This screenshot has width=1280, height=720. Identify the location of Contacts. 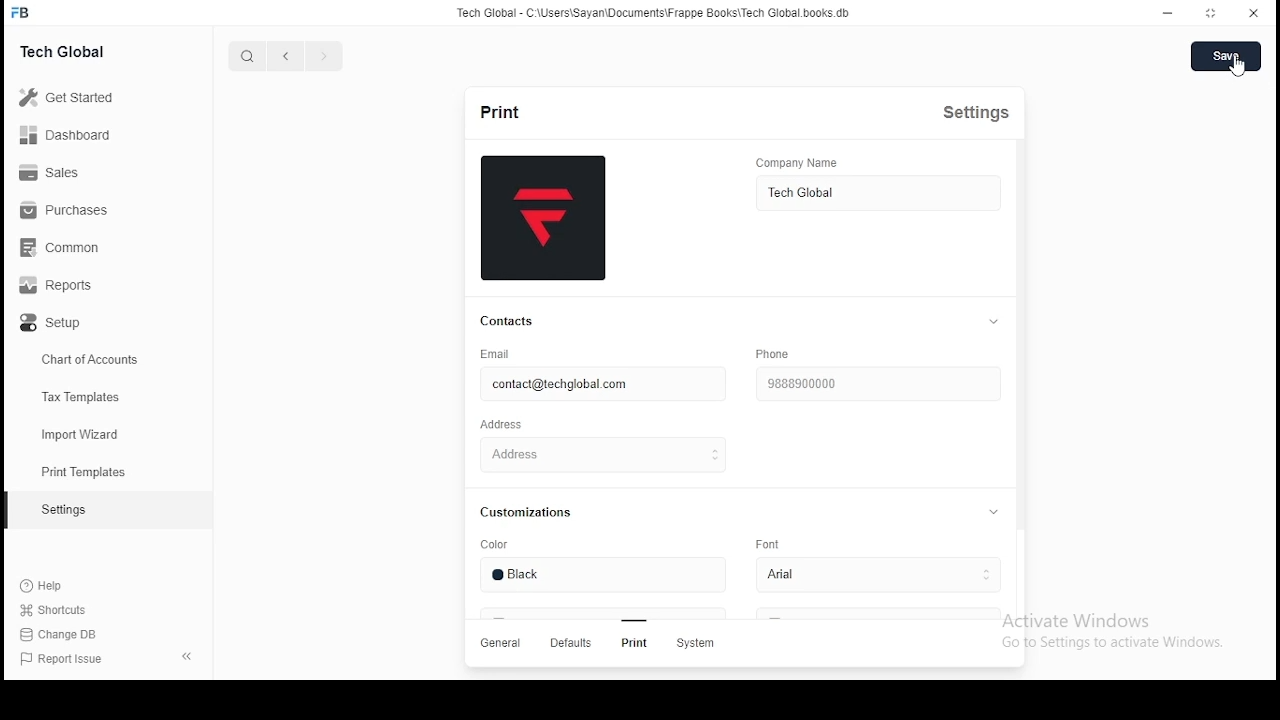
(505, 322).